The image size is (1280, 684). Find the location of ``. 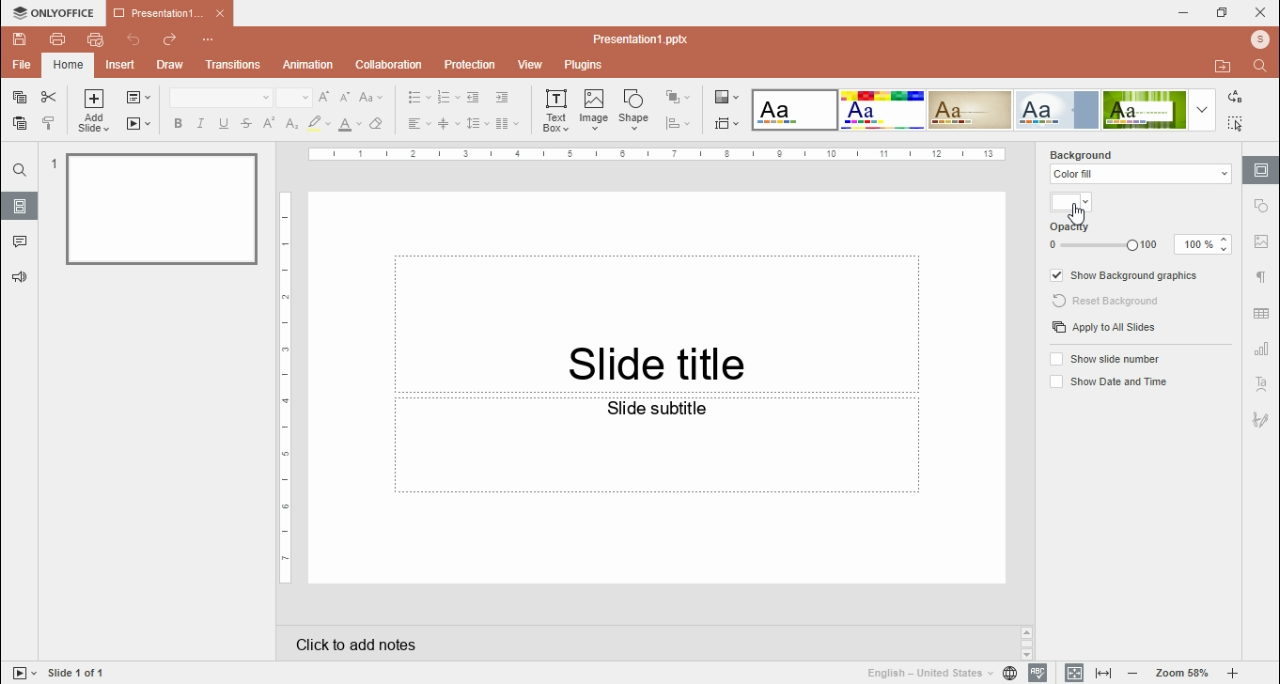

 is located at coordinates (1259, 422).